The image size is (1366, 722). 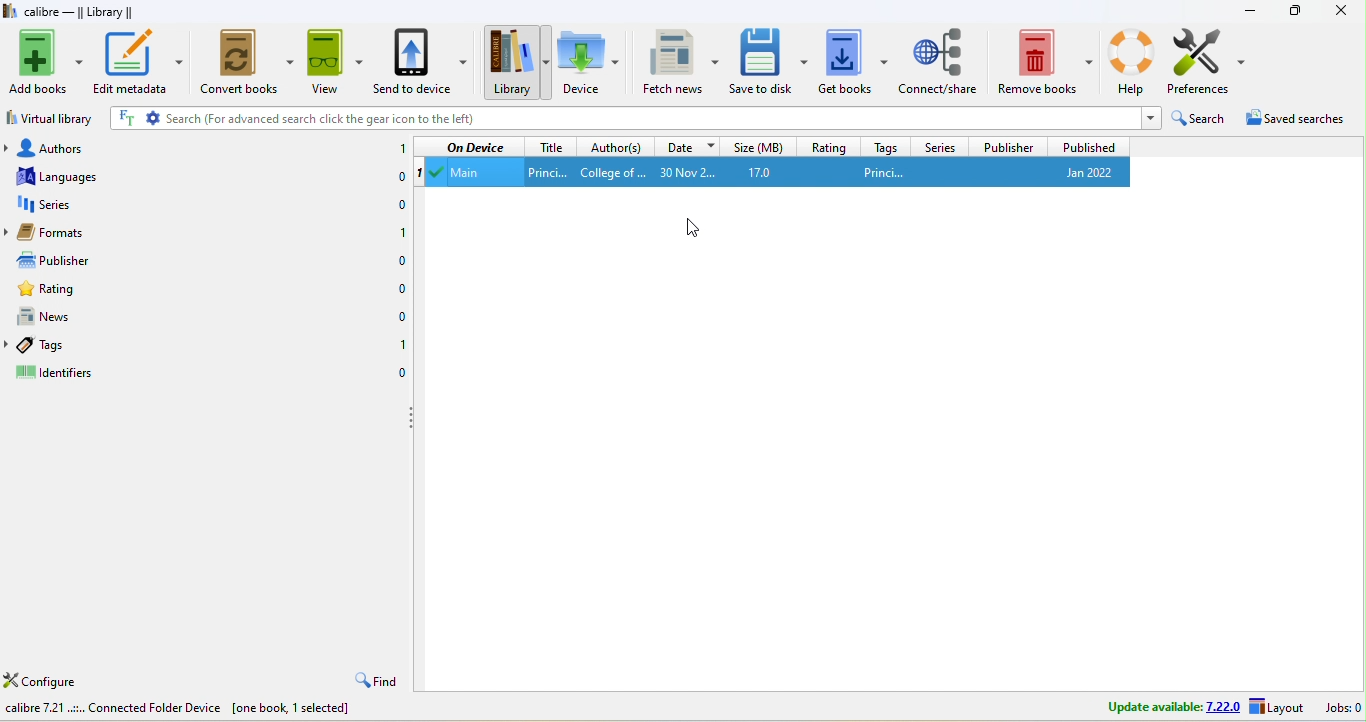 What do you see at coordinates (398, 232) in the screenshot?
I see `1` at bounding box center [398, 232].